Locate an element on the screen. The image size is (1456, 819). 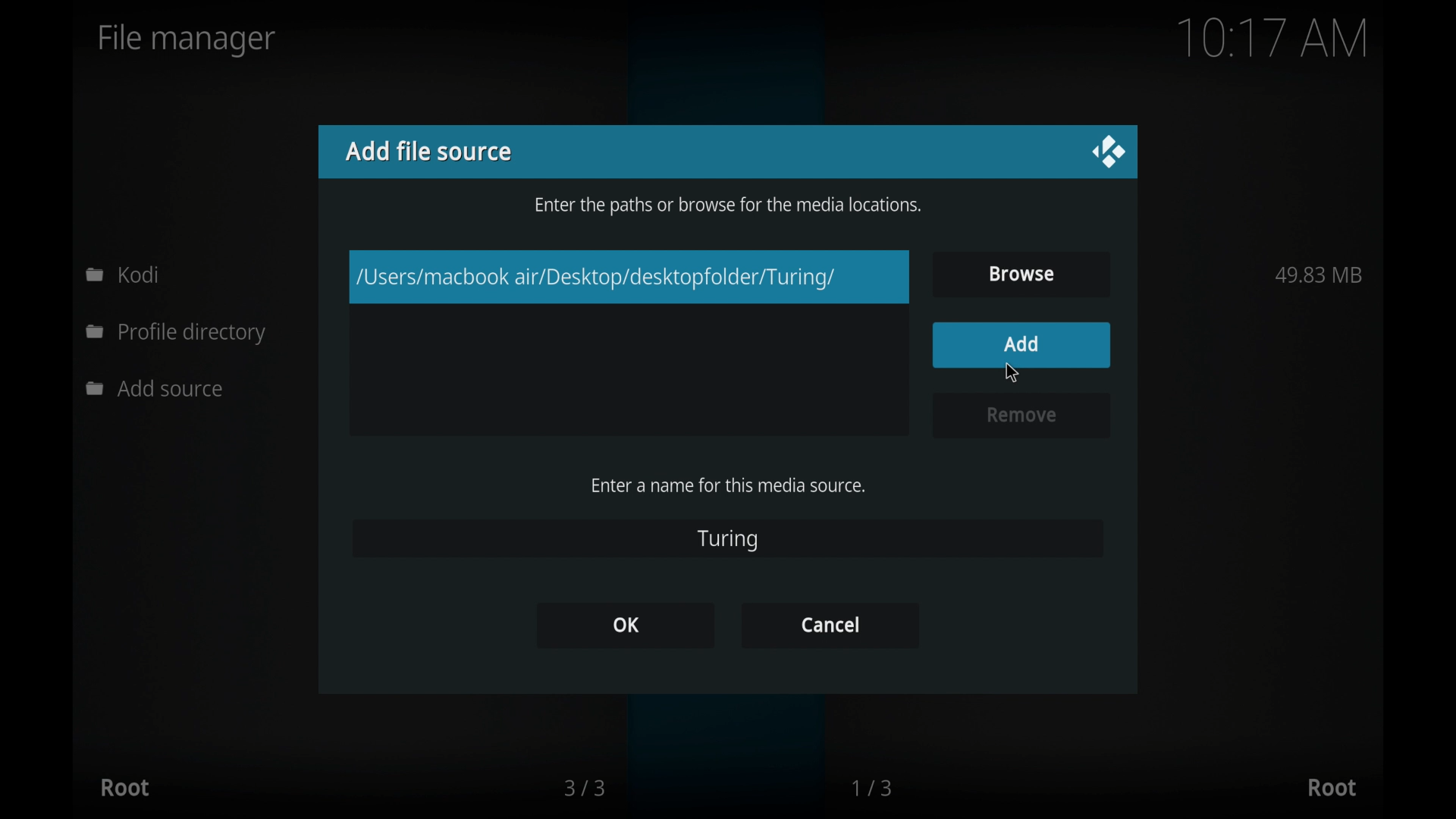
enter a name for this media source is located at coordinates (727, 485).